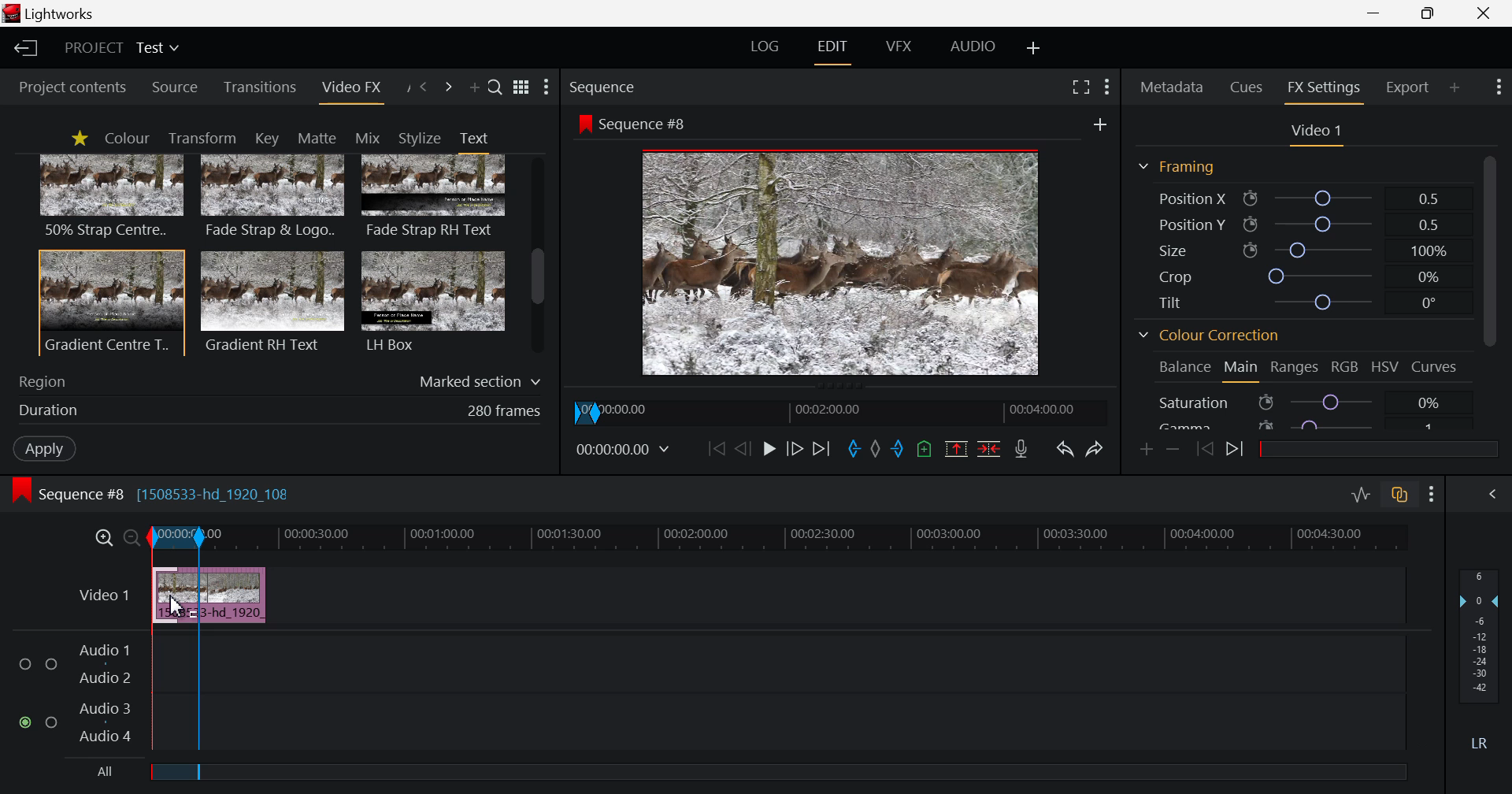  What do you see at coordinates (523, 87) in the screenshot?
I see `Toggle between list and title views` at bounding box center [523, 87].